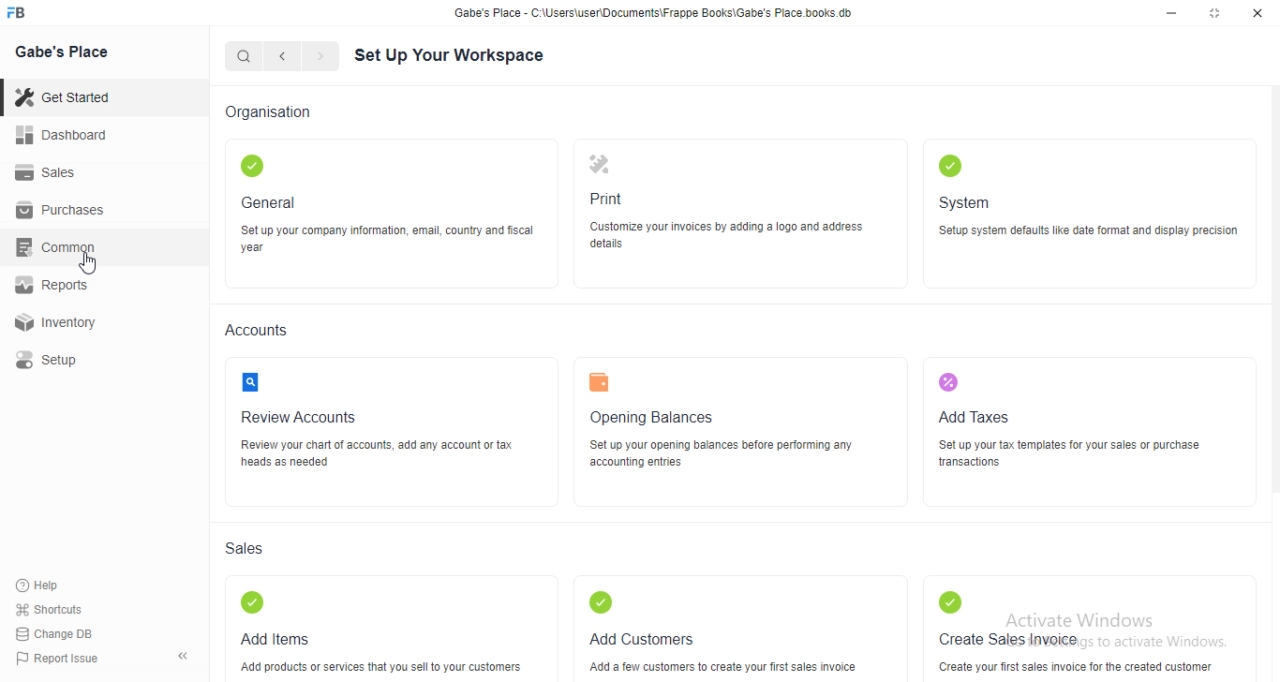 The image size is (1280, 682). Describe the element at coordinates (737, 205) in the screenshot. I see `Print Customize your invoices by adding a logo and address.detais` at that location.